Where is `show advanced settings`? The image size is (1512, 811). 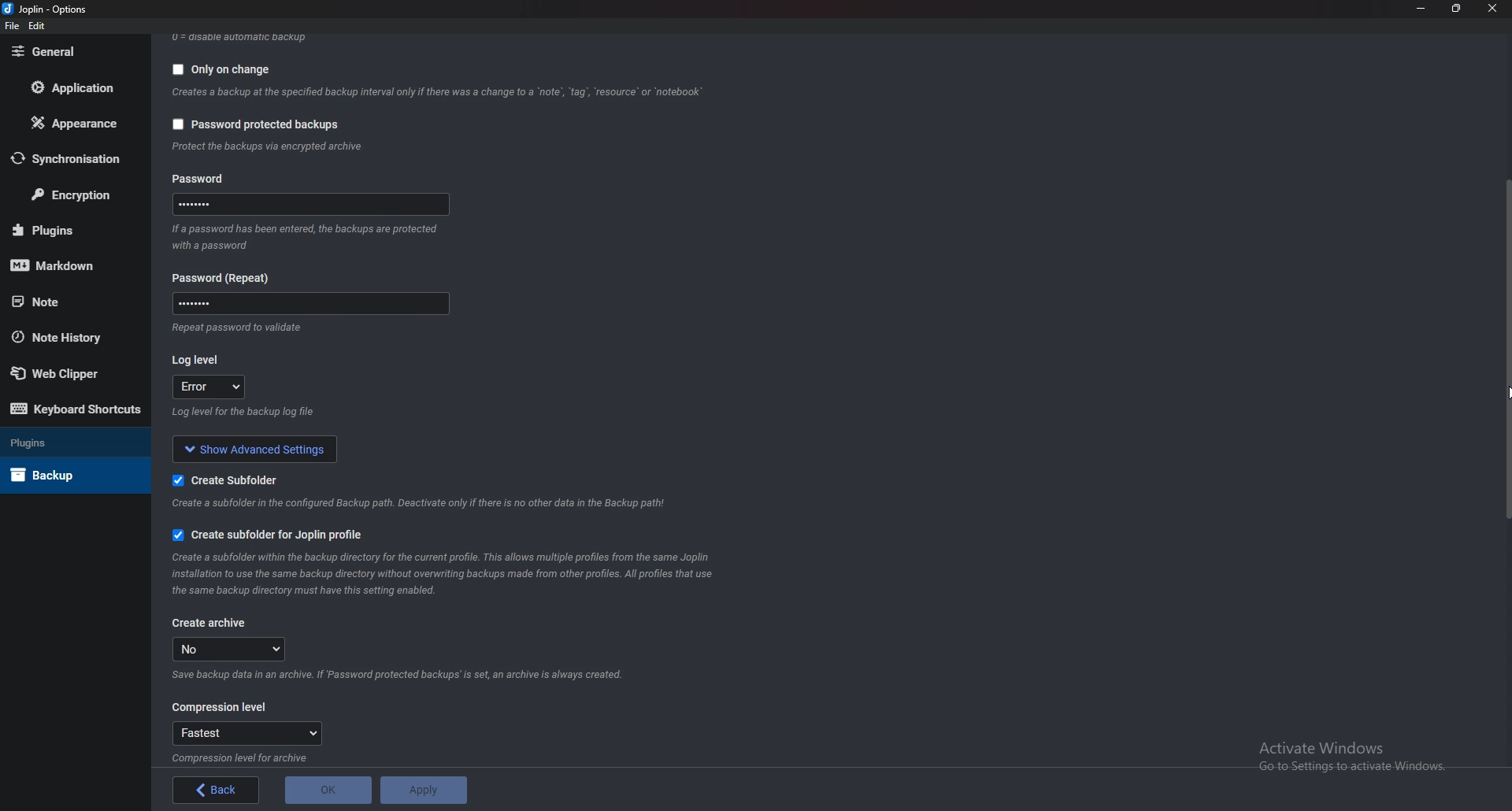
show advanced settings is located at coordinates (255, 449).